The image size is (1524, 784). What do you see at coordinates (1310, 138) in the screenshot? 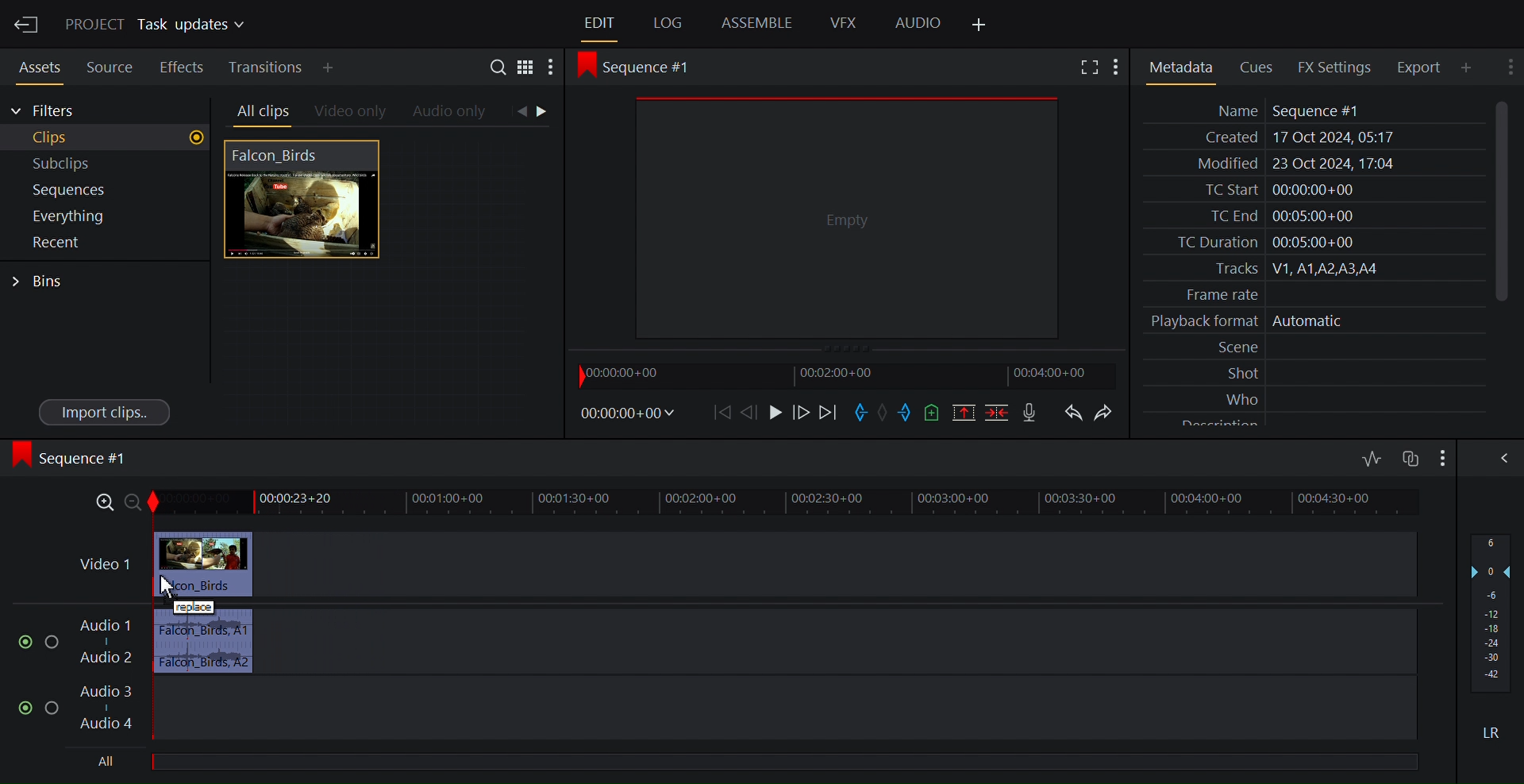
I see `Created` at bounding box center [1310, 138].